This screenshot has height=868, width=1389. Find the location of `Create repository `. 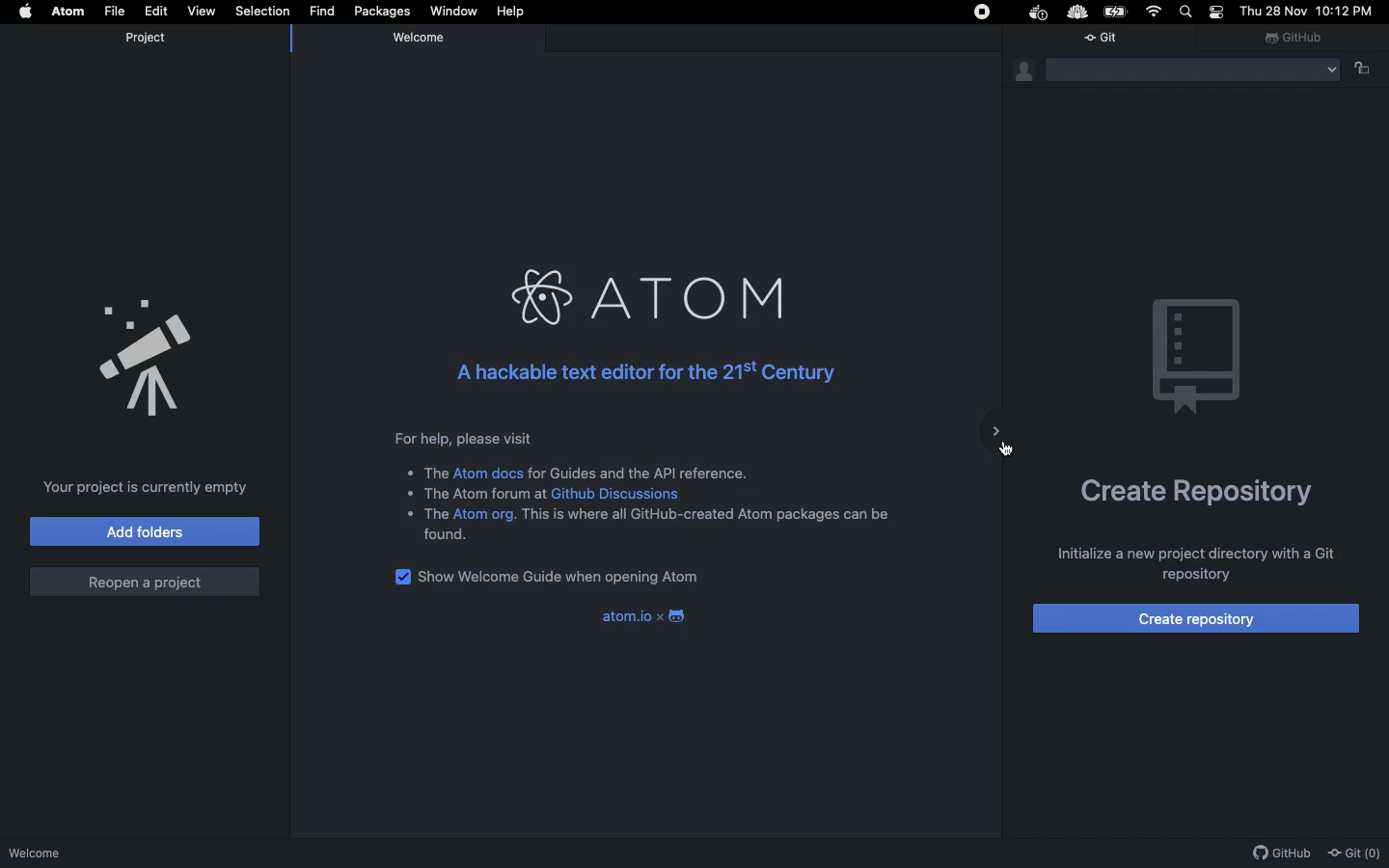

Create repository  is located at coordinates (1196, 617).